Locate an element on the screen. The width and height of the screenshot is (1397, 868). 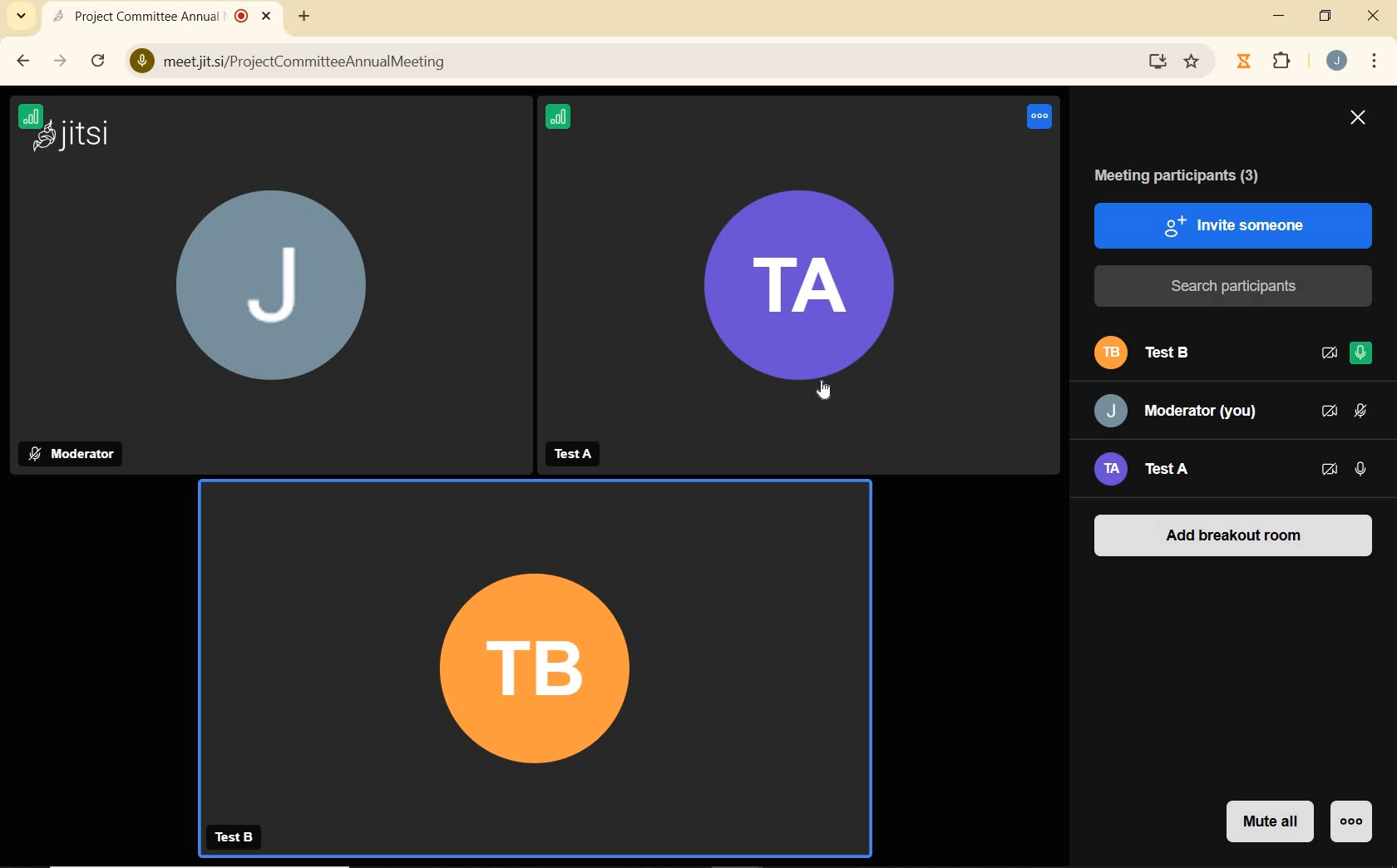
CLOSE is located at coordinates (1357, 121).